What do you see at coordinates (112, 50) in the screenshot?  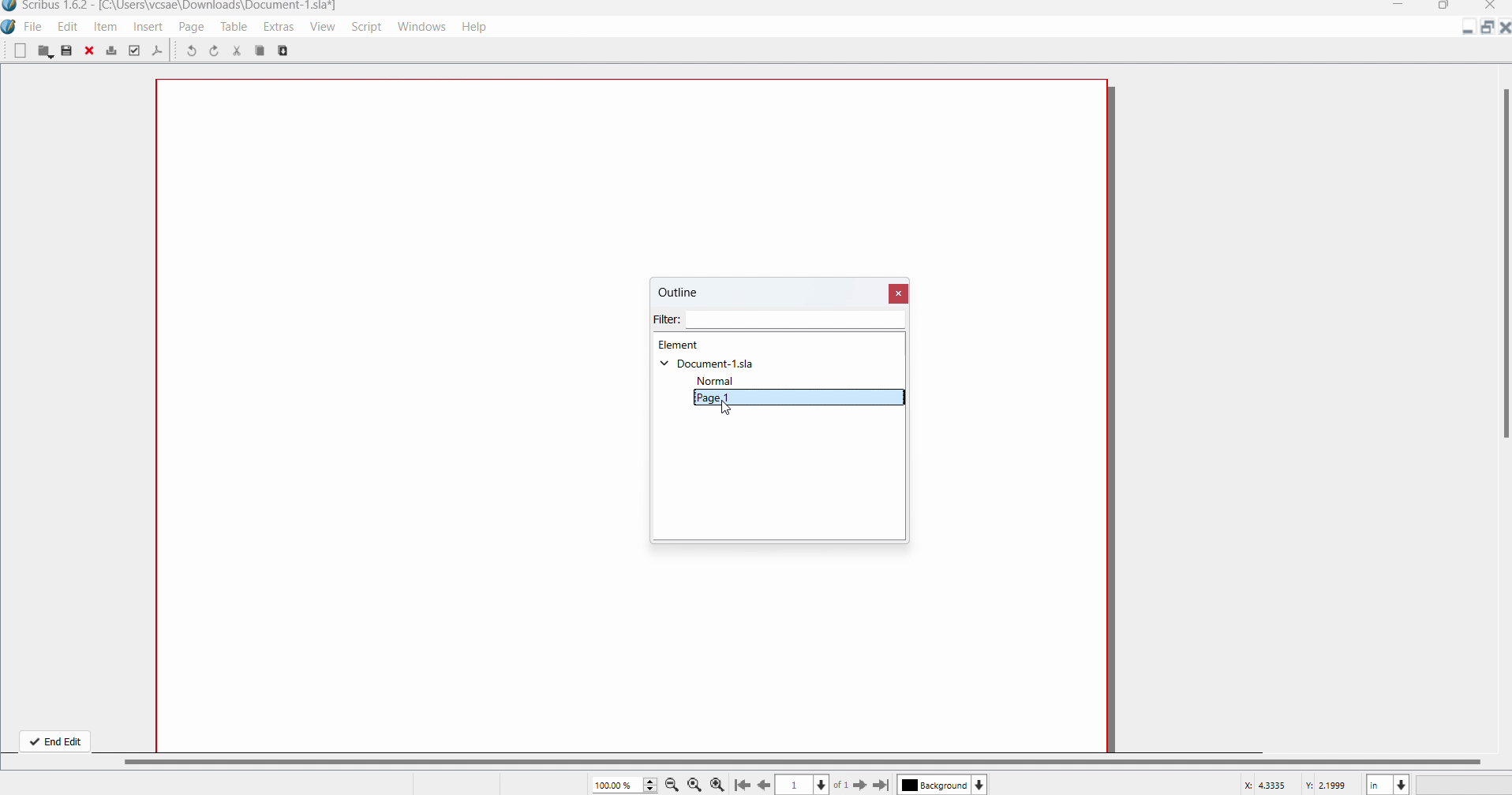 I see `print` at bounding box center [112, 50].